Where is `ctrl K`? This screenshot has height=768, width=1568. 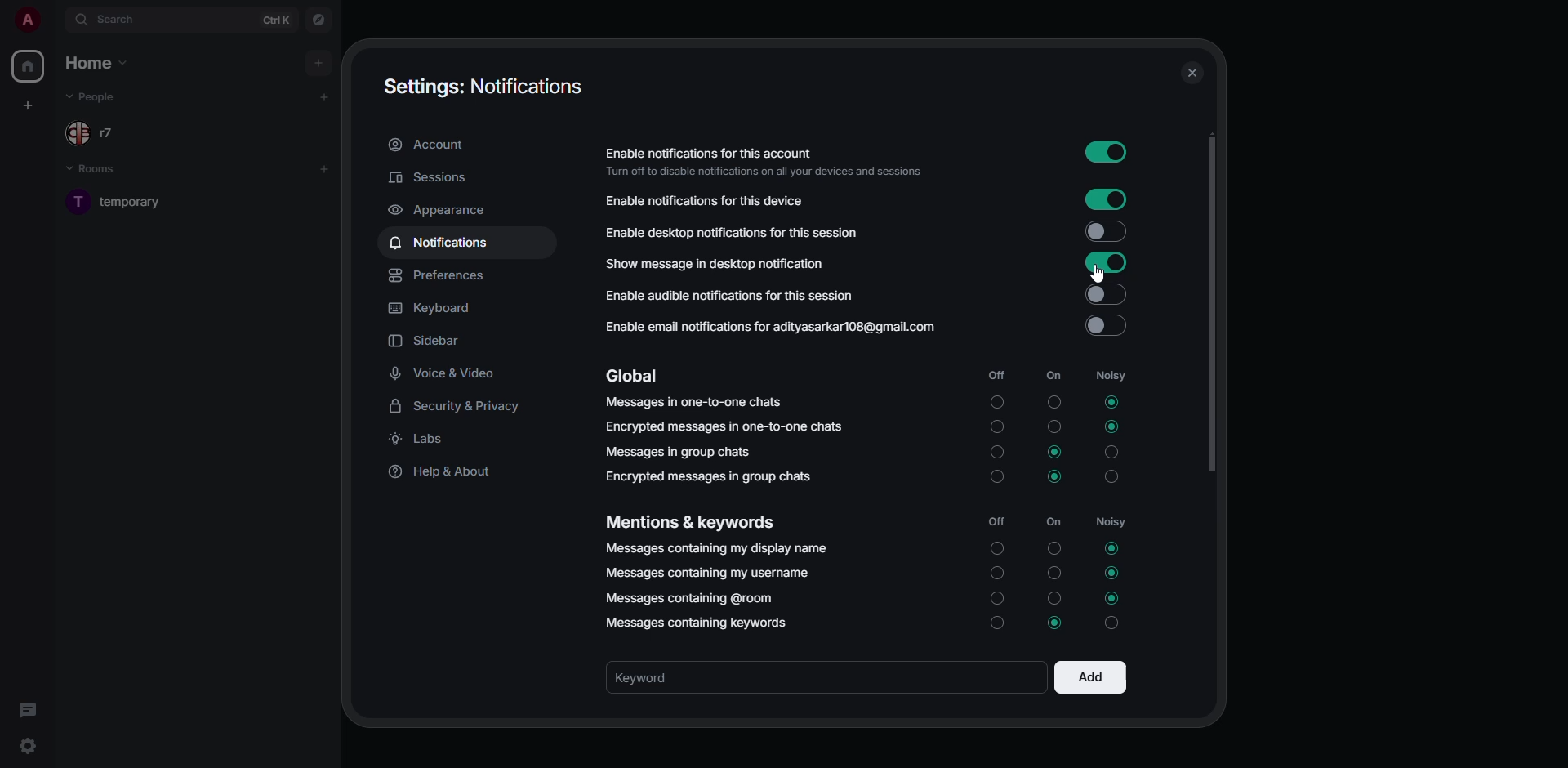 ctrl K is located at coordinates (277, 20).